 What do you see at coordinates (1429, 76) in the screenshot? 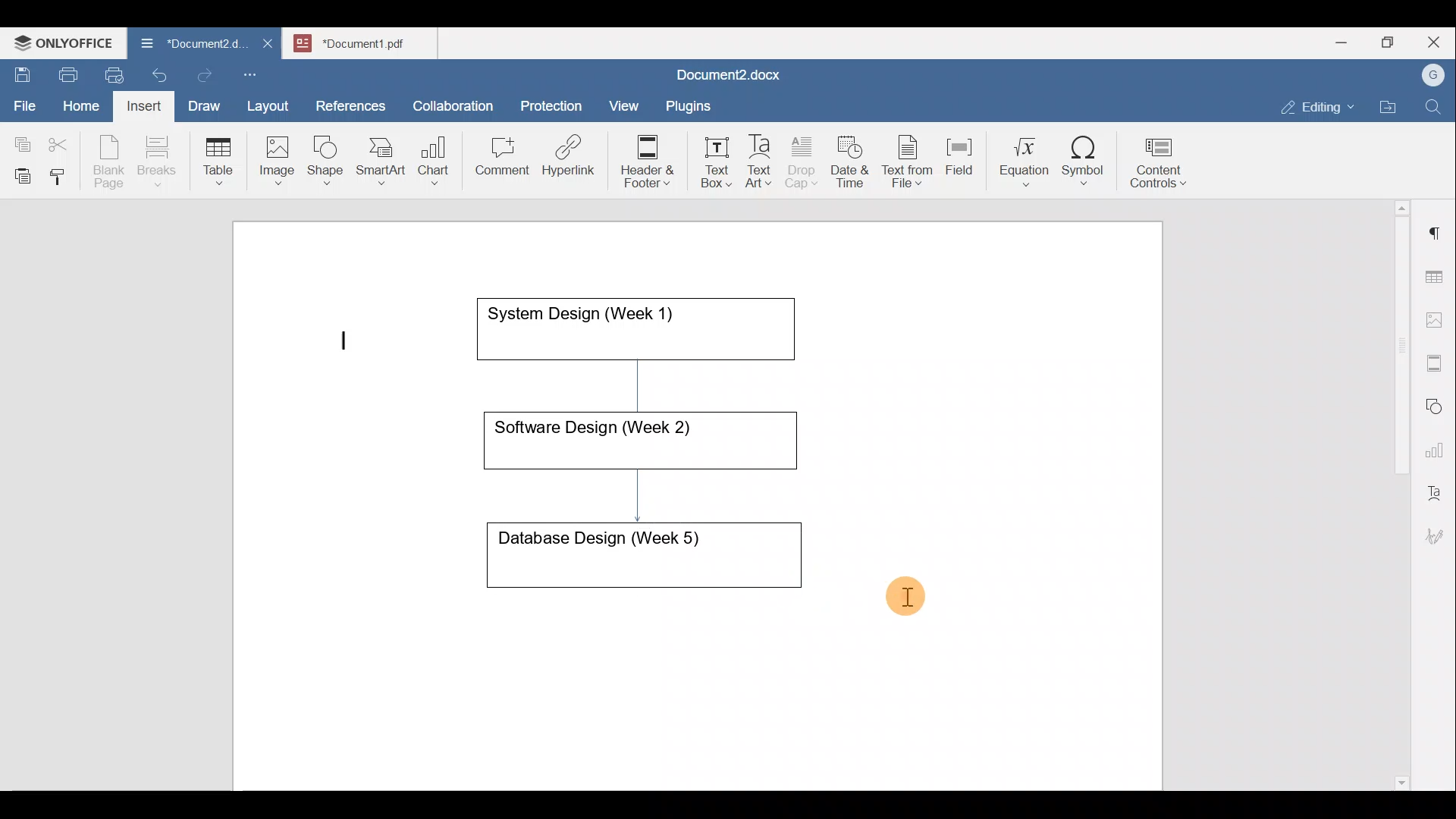
I see `Account name` at bounding box center [1429, 76].